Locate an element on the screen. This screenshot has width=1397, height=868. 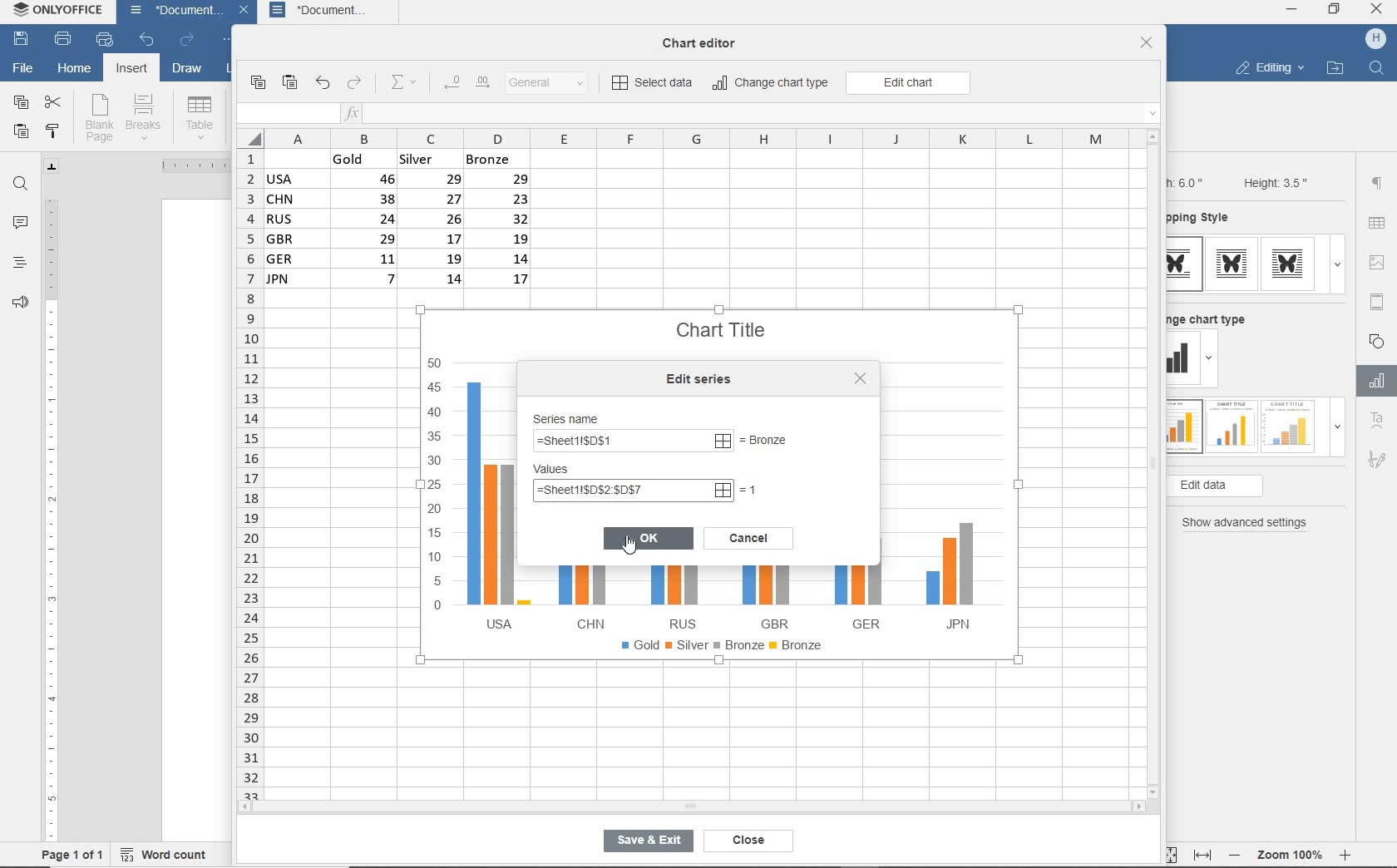
save & exit is located at coordinates (645, 844).